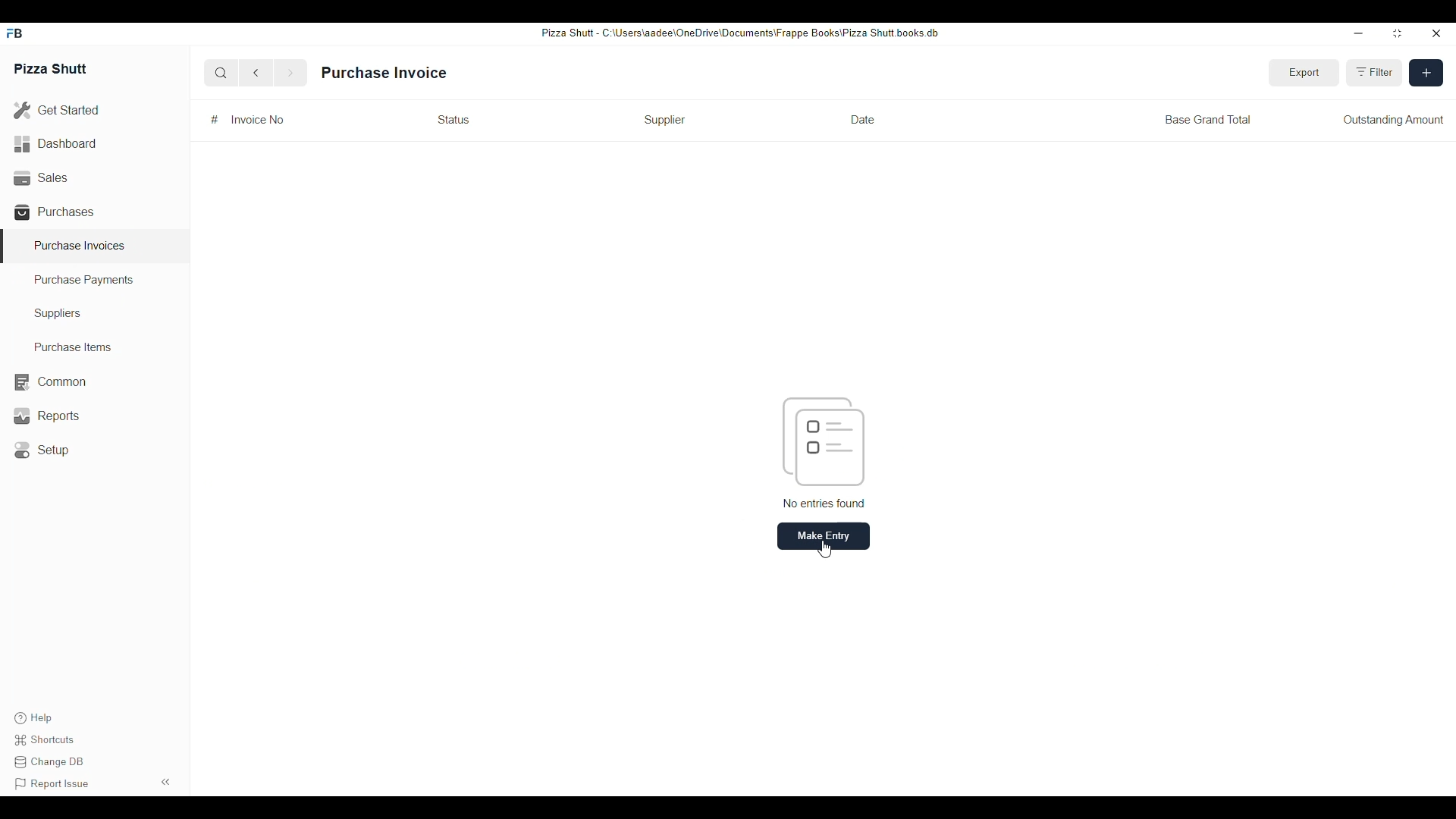  What do you see at coordinates (61, 313) in the screenshot?
I see `Suppliers.` at bounding box center [61, 313].